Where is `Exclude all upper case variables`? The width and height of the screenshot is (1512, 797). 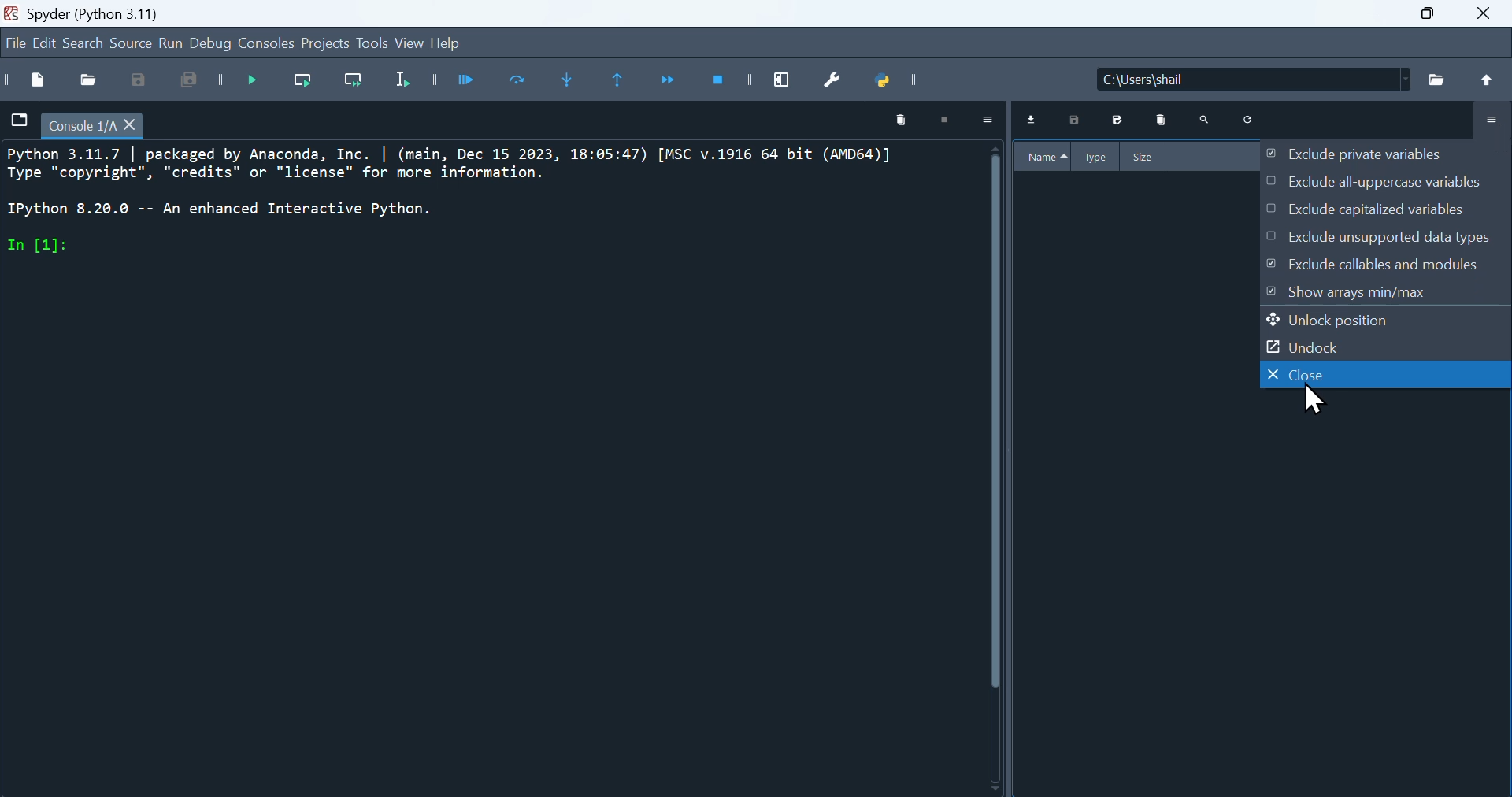
Exclude all upper case variables is located at coordinates (1364, 183).